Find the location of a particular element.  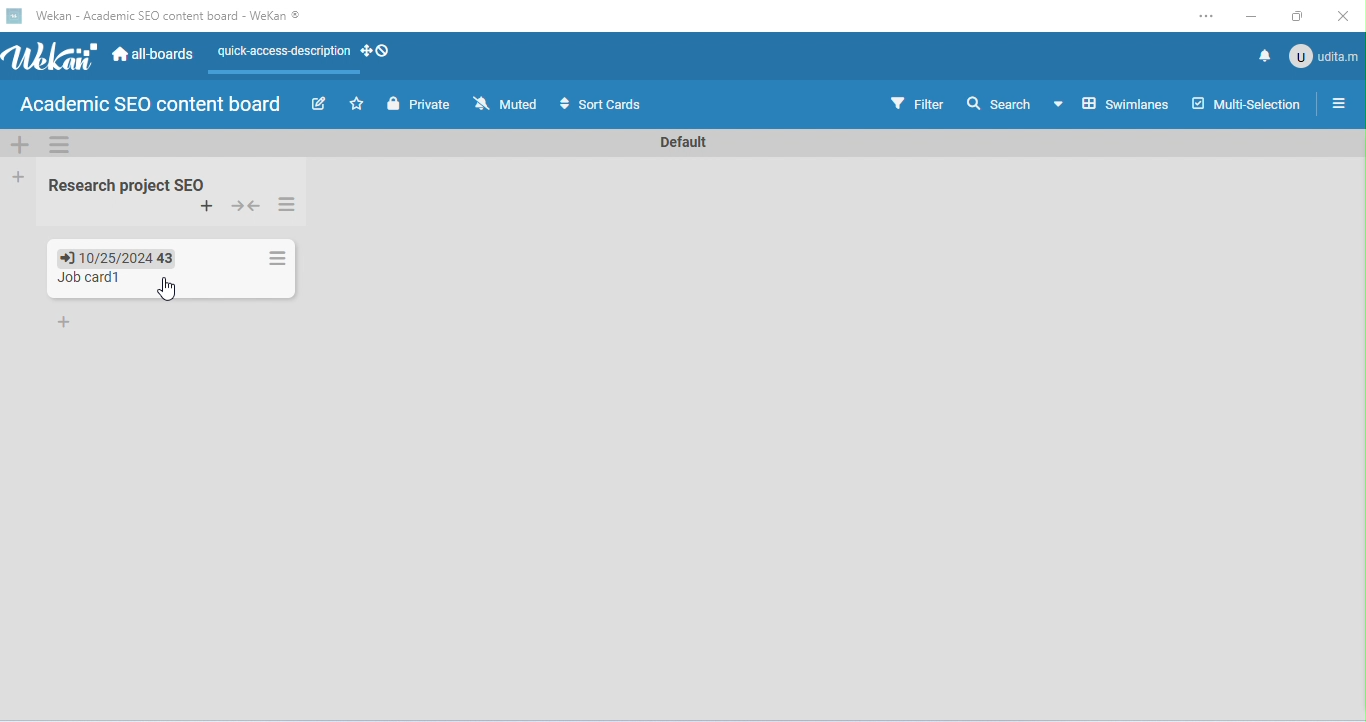

board name: academic SEO content board is located at coordinates (150, 105).